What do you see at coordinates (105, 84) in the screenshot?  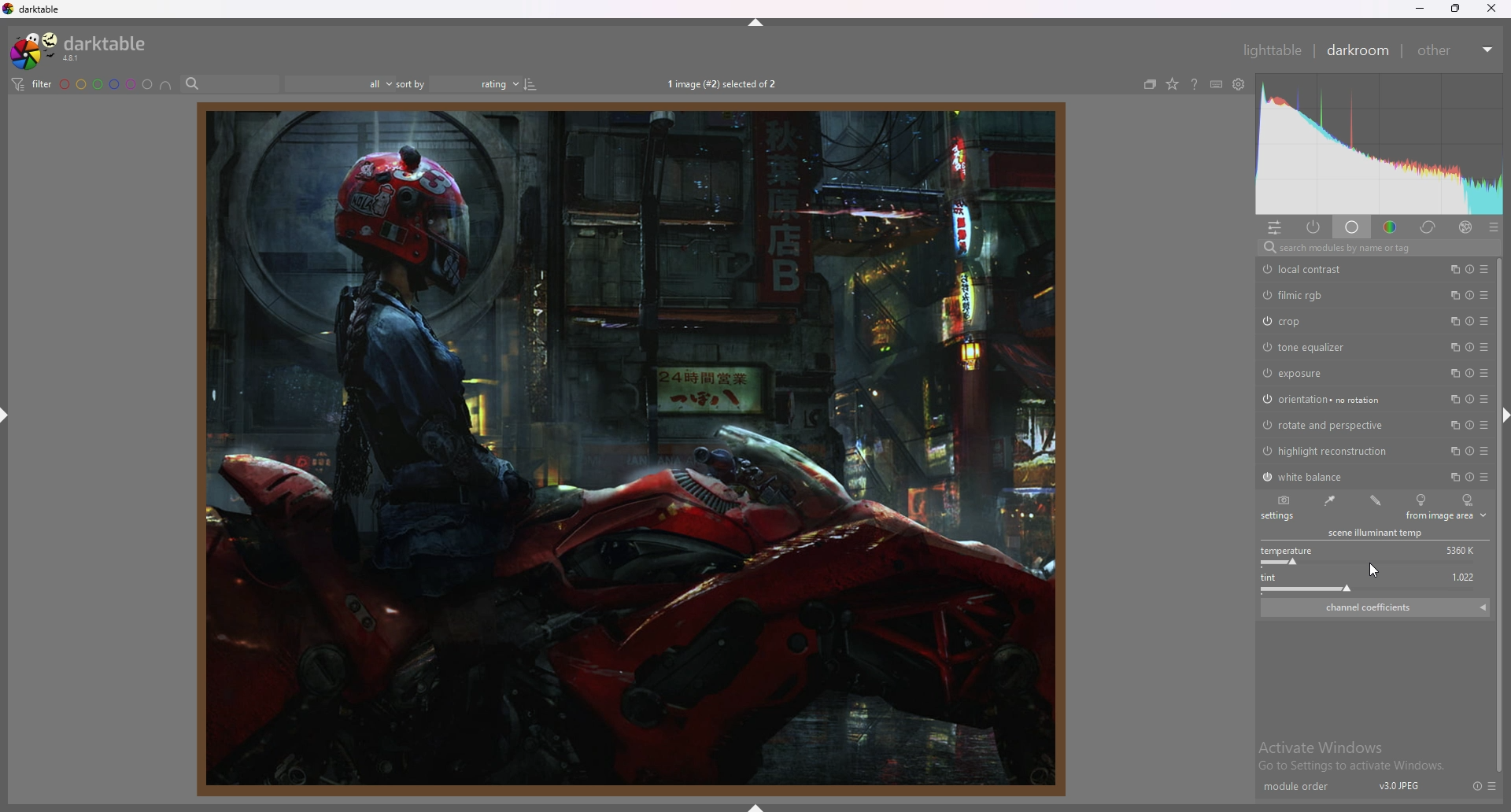 I see `color labels` at bounding box center [105, 84].